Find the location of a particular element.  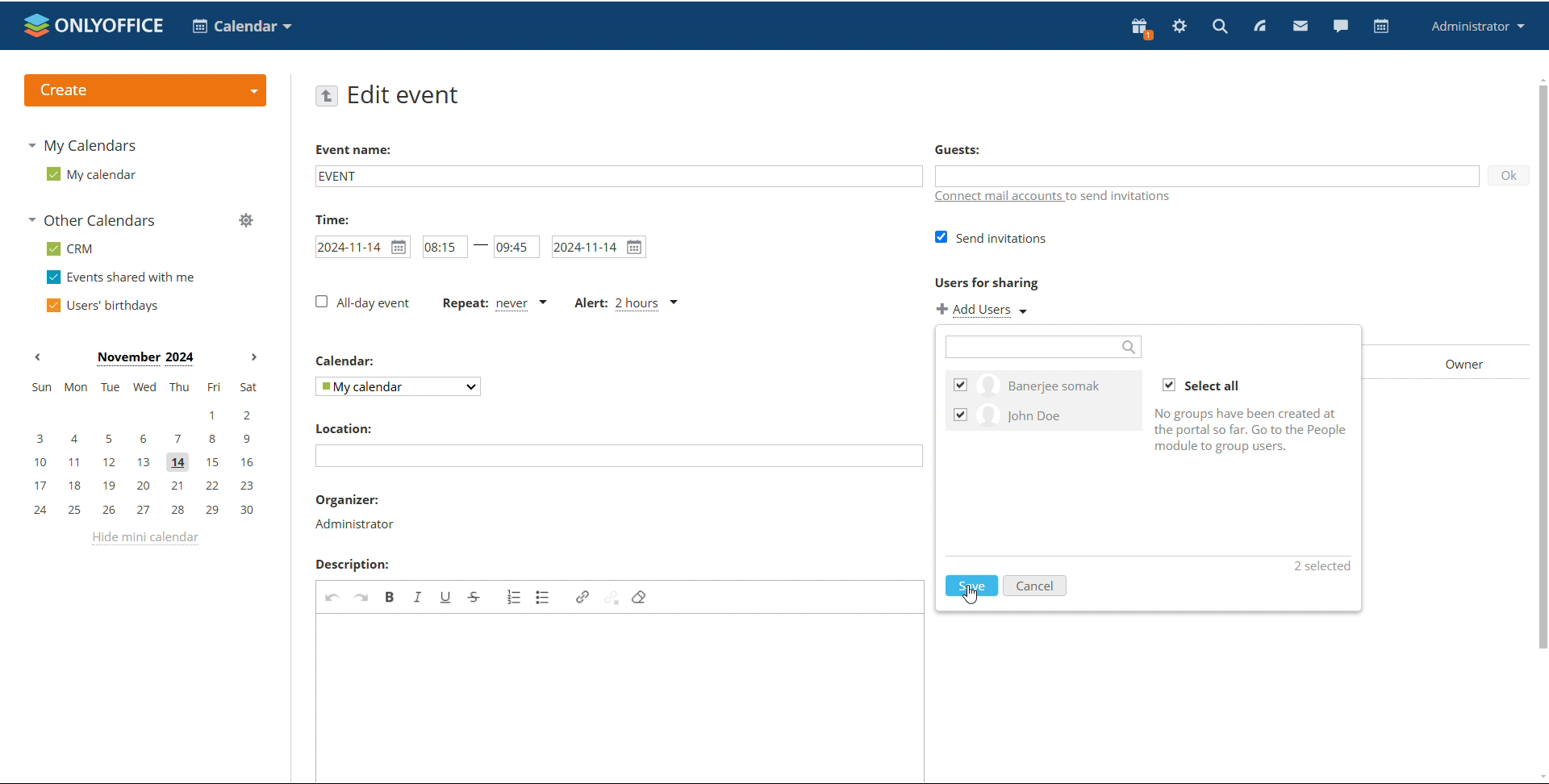

scrollbar is located at coordinates (1542, 367).